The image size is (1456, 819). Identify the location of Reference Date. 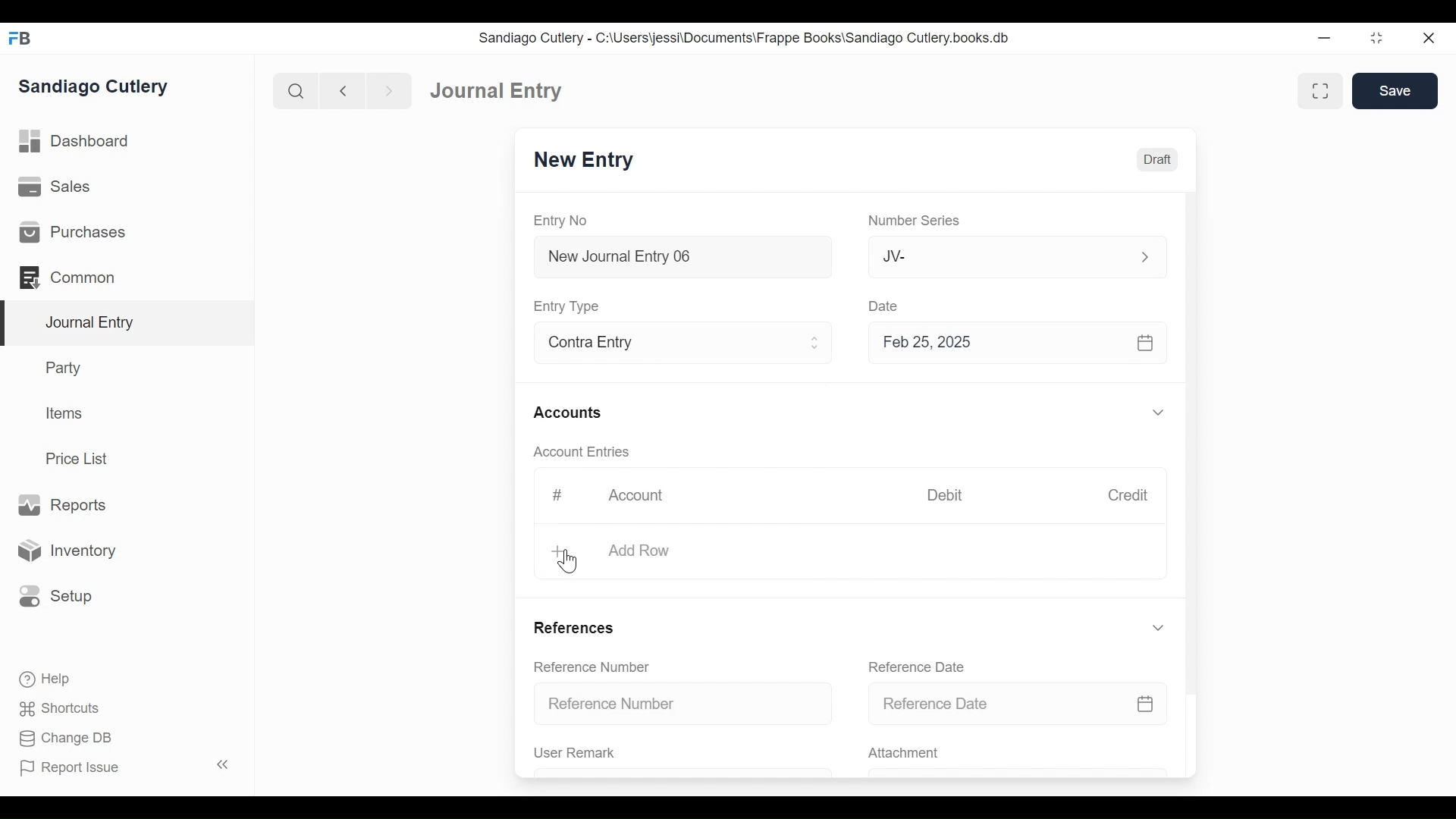
(1017, 702).